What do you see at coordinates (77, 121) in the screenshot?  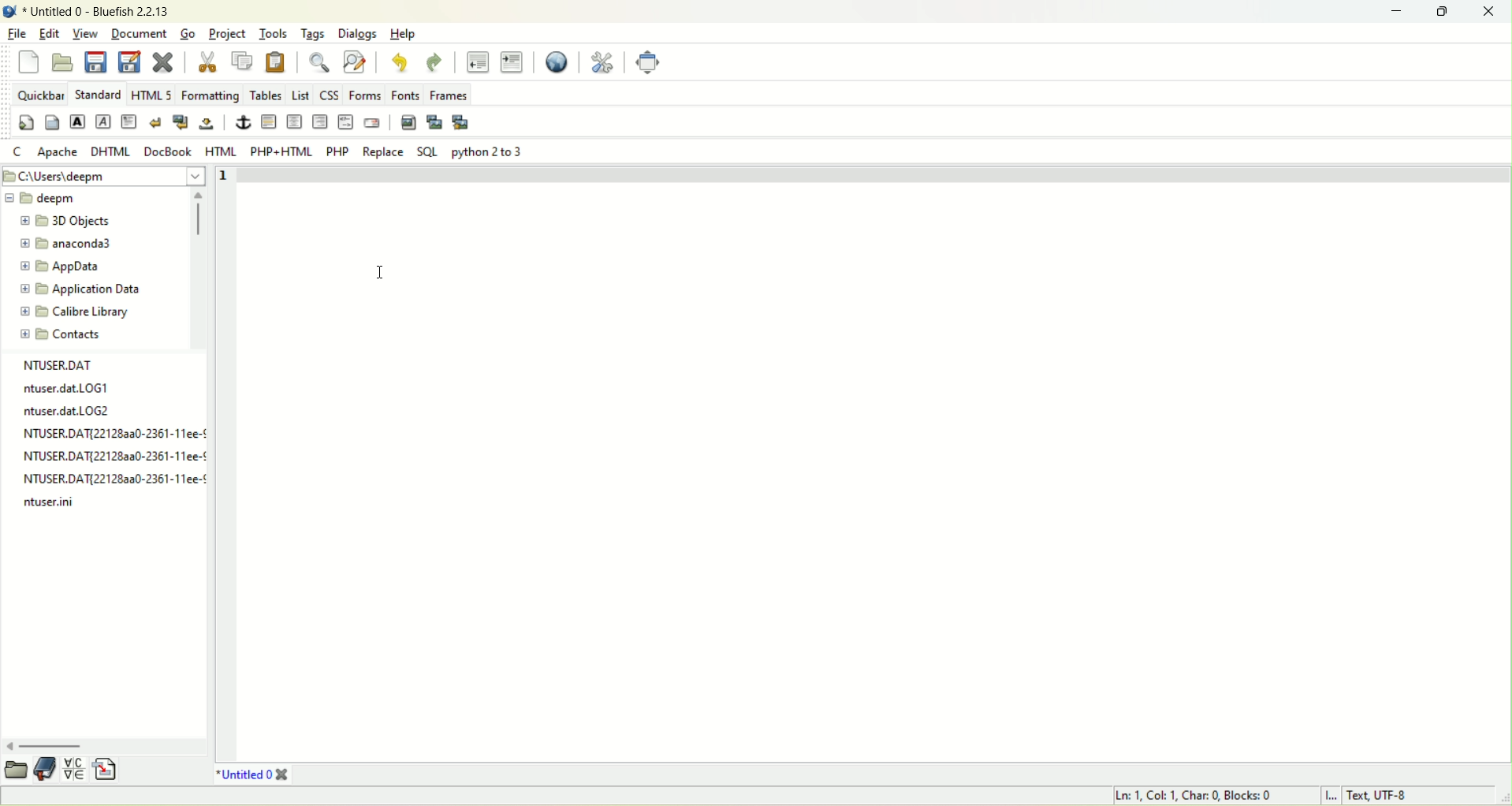 I see `strong` at bounding box center [77, 121].